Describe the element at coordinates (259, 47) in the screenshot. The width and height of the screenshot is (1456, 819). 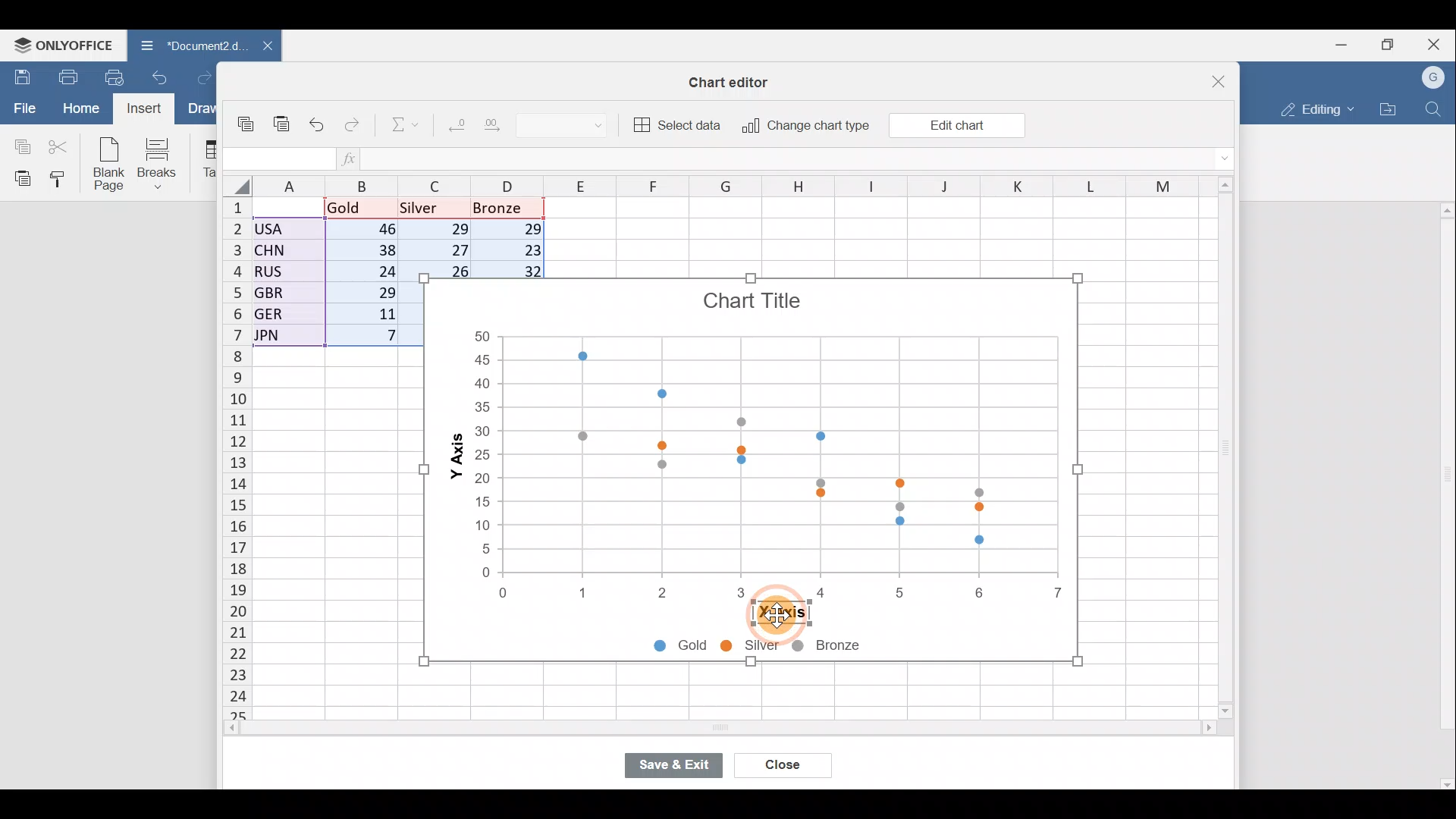
I see `Close document` at that location.